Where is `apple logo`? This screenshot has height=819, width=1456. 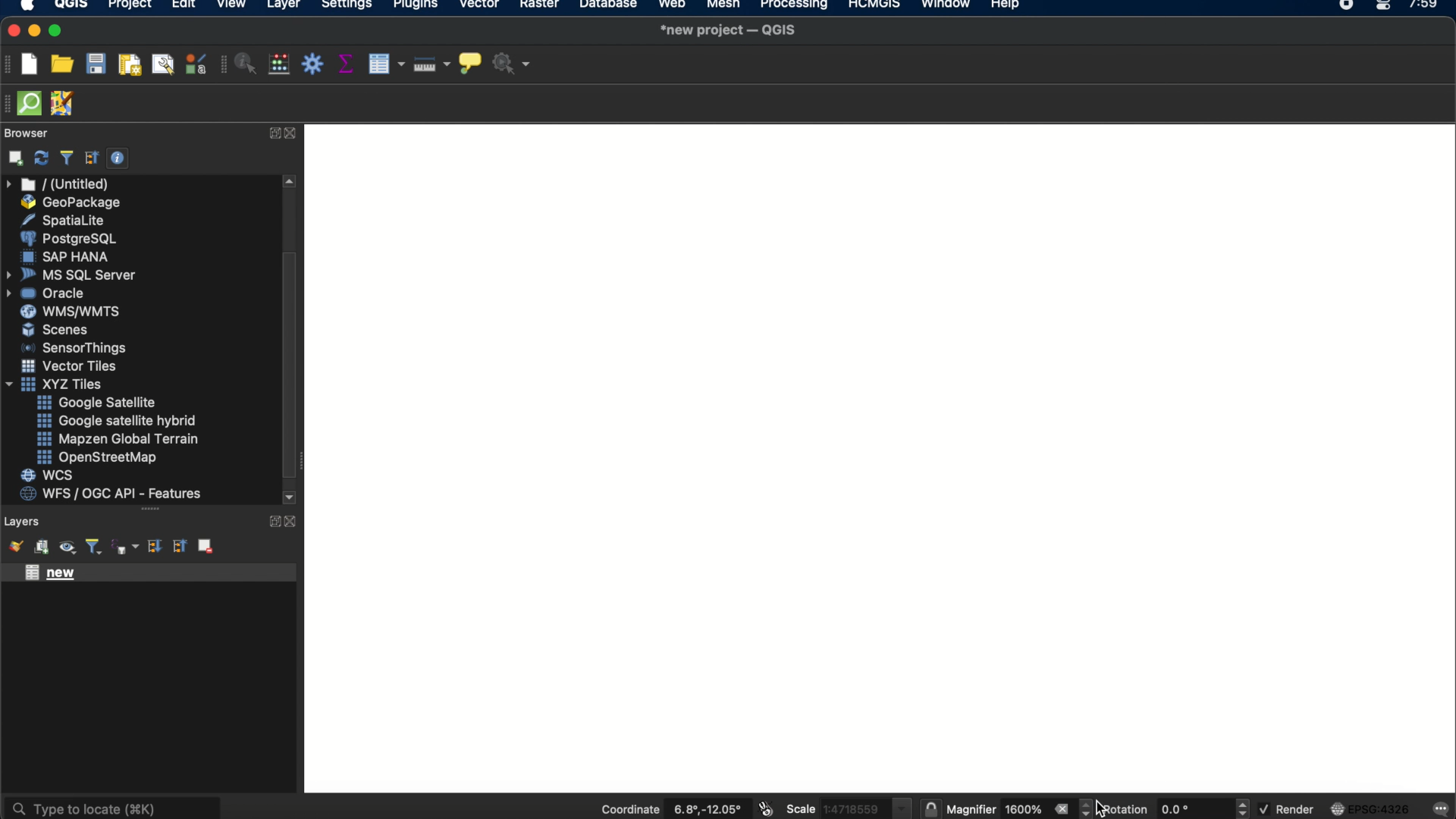
apple logo is located at coordinates (25, 6).